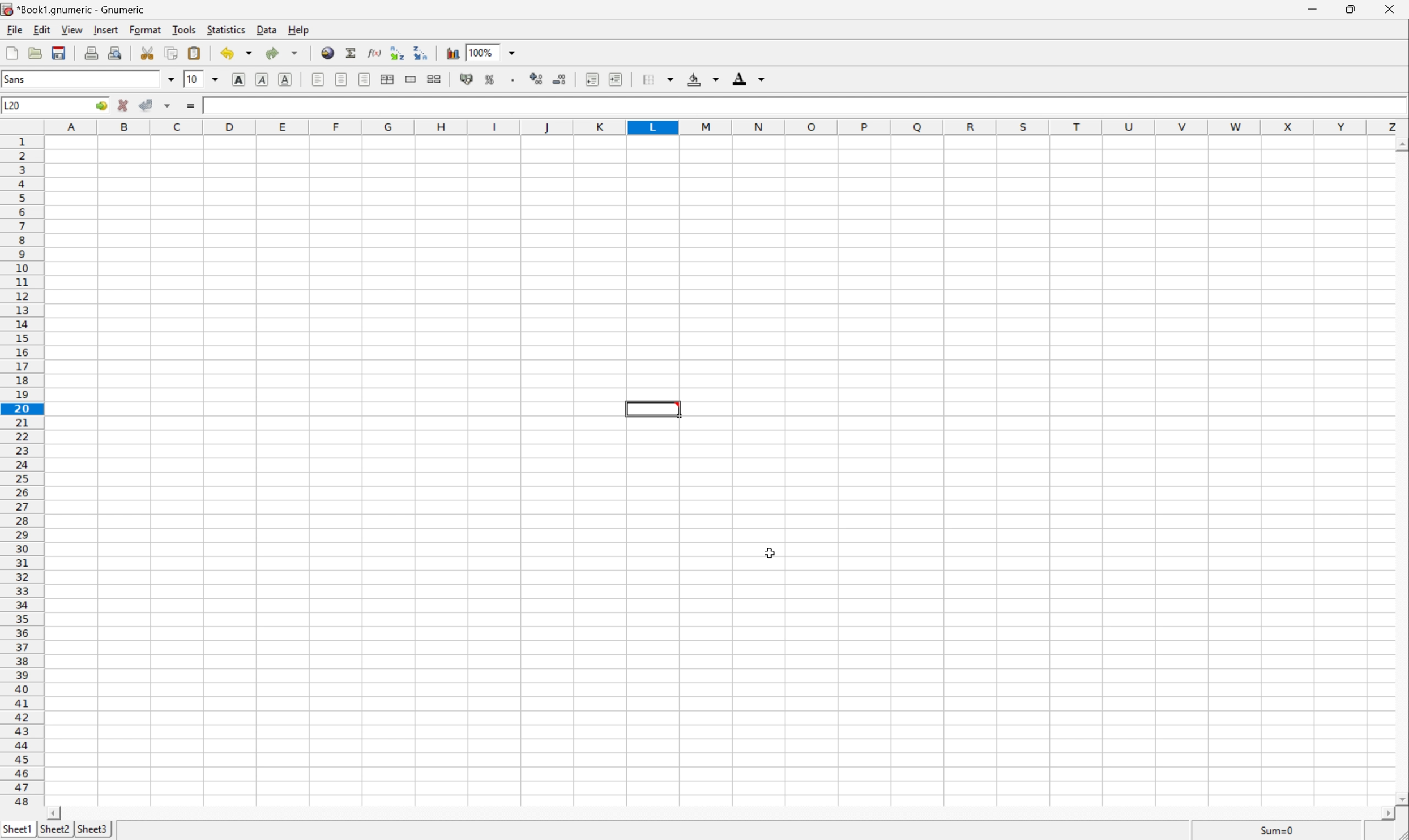  I want to click on Foreground, so click(749, 78).